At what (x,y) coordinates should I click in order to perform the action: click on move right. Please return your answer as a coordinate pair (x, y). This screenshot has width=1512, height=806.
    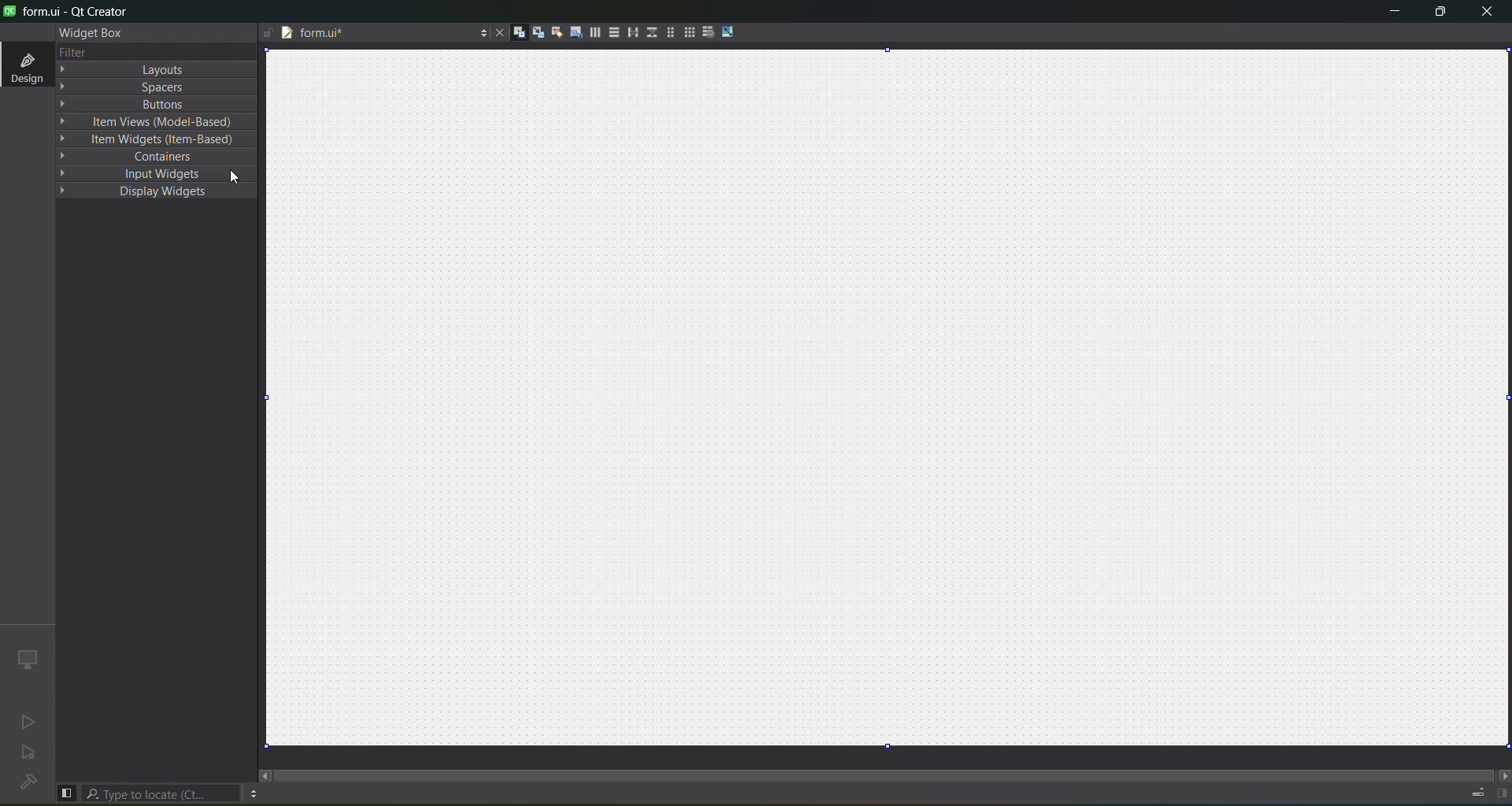
    Looking at the image, I should click on (1502, 773).